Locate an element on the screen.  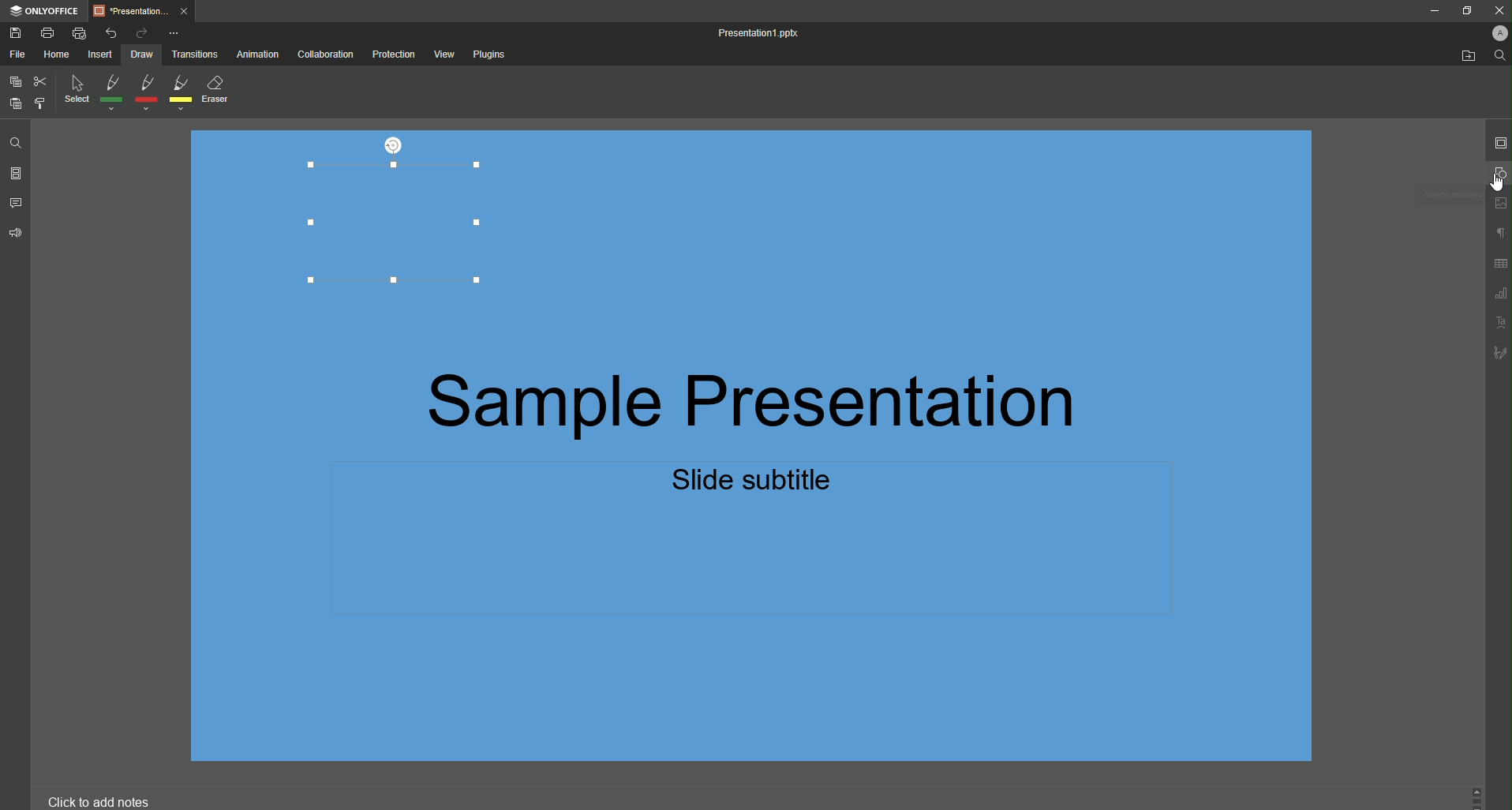
Slides is located at coordinates (17, 173).